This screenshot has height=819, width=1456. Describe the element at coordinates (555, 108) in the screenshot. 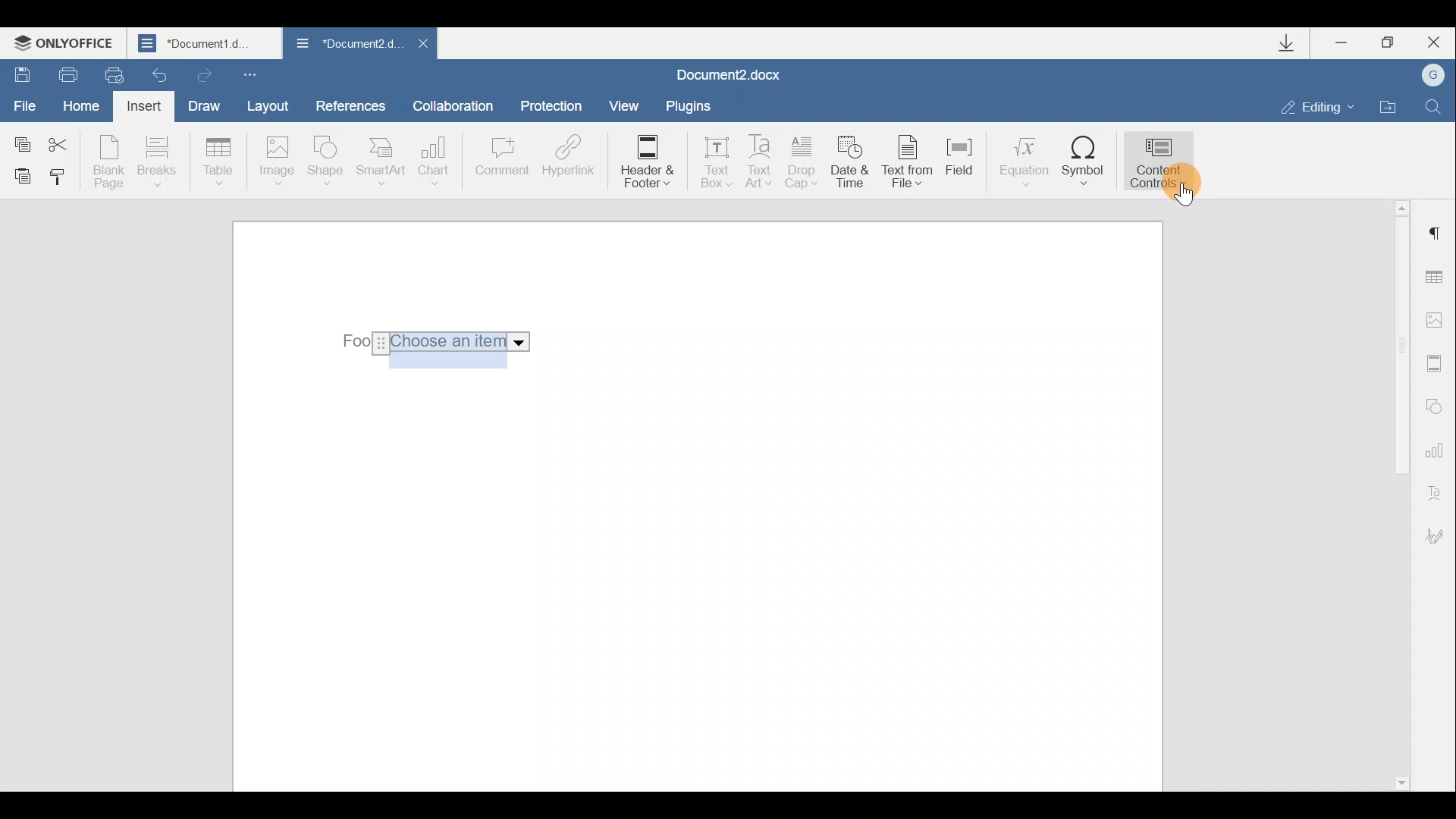

I see `Protection` at that location.